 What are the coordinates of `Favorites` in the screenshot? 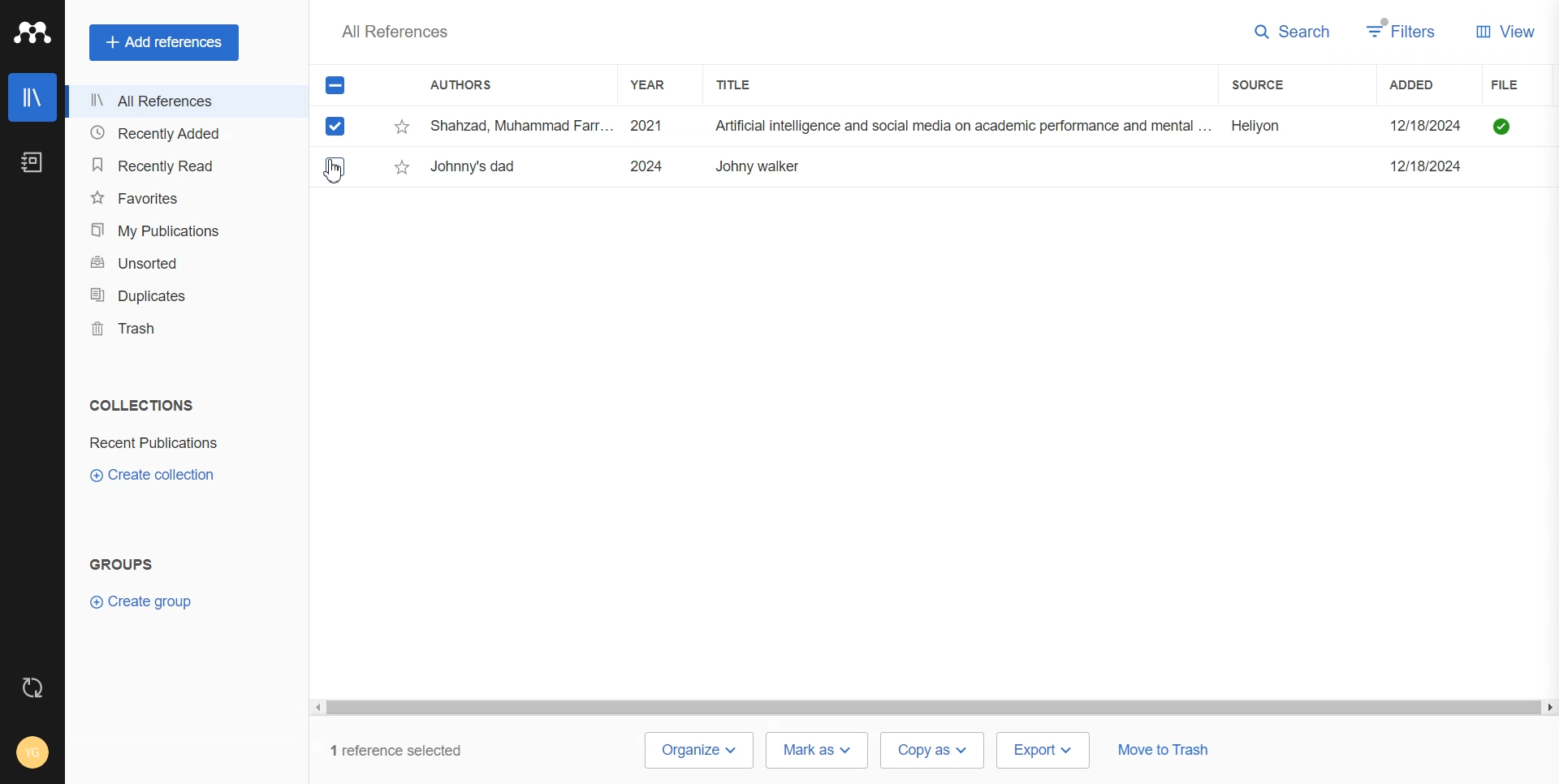 It's located at (182, 196).